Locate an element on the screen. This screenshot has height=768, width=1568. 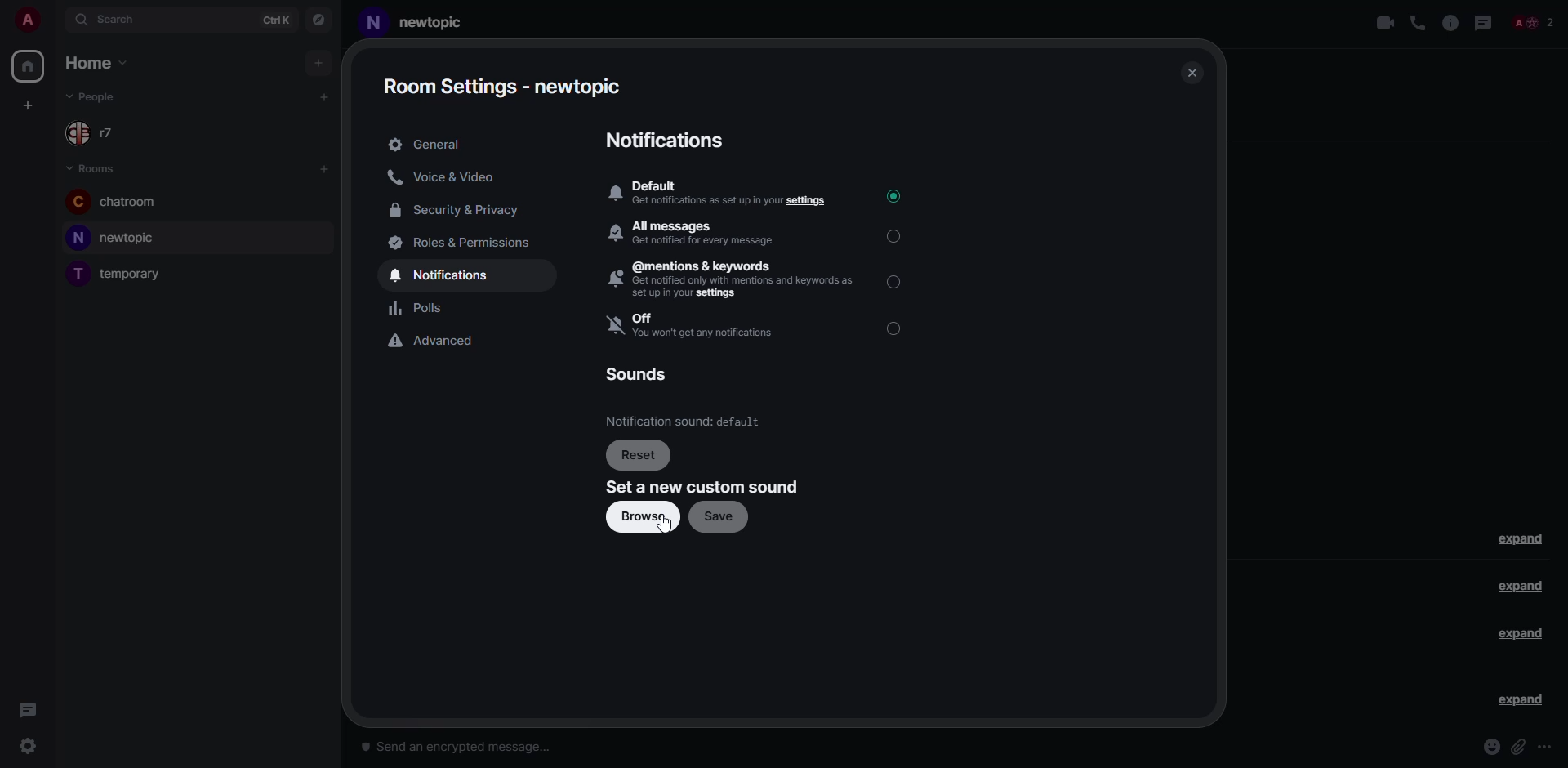
send an encrypted message is located at coordinates (466, 748).